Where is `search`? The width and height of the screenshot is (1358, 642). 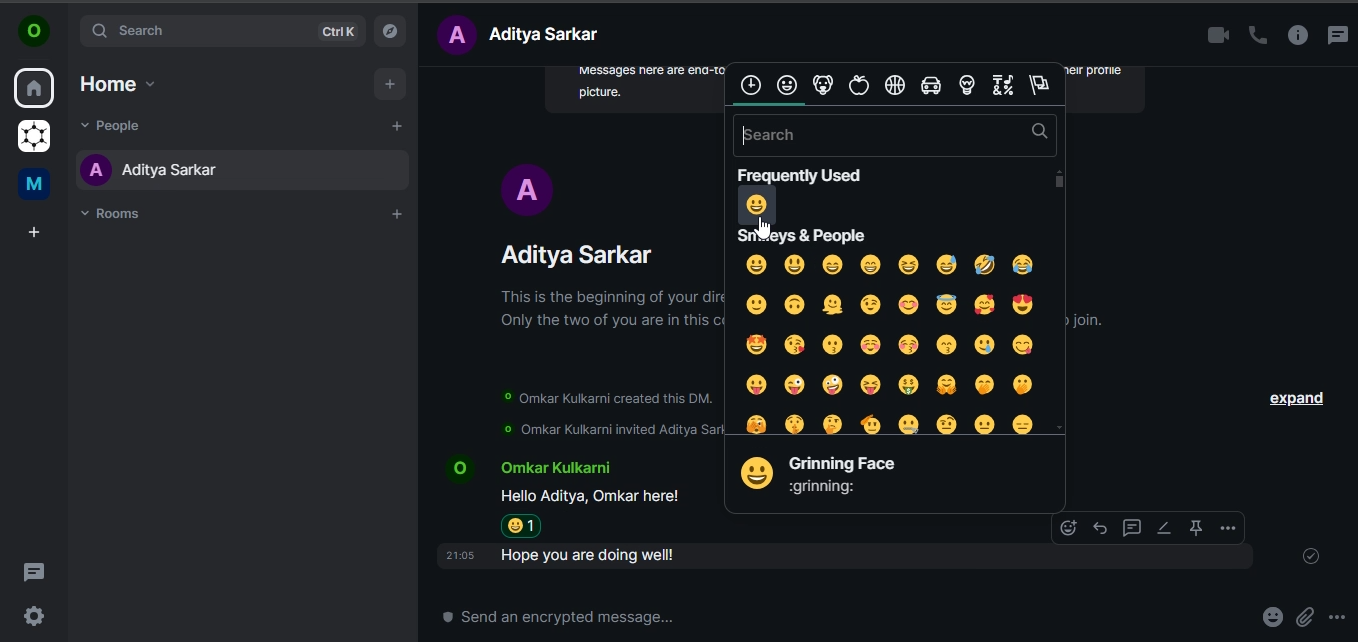
search is located at coordinates (223, 32).